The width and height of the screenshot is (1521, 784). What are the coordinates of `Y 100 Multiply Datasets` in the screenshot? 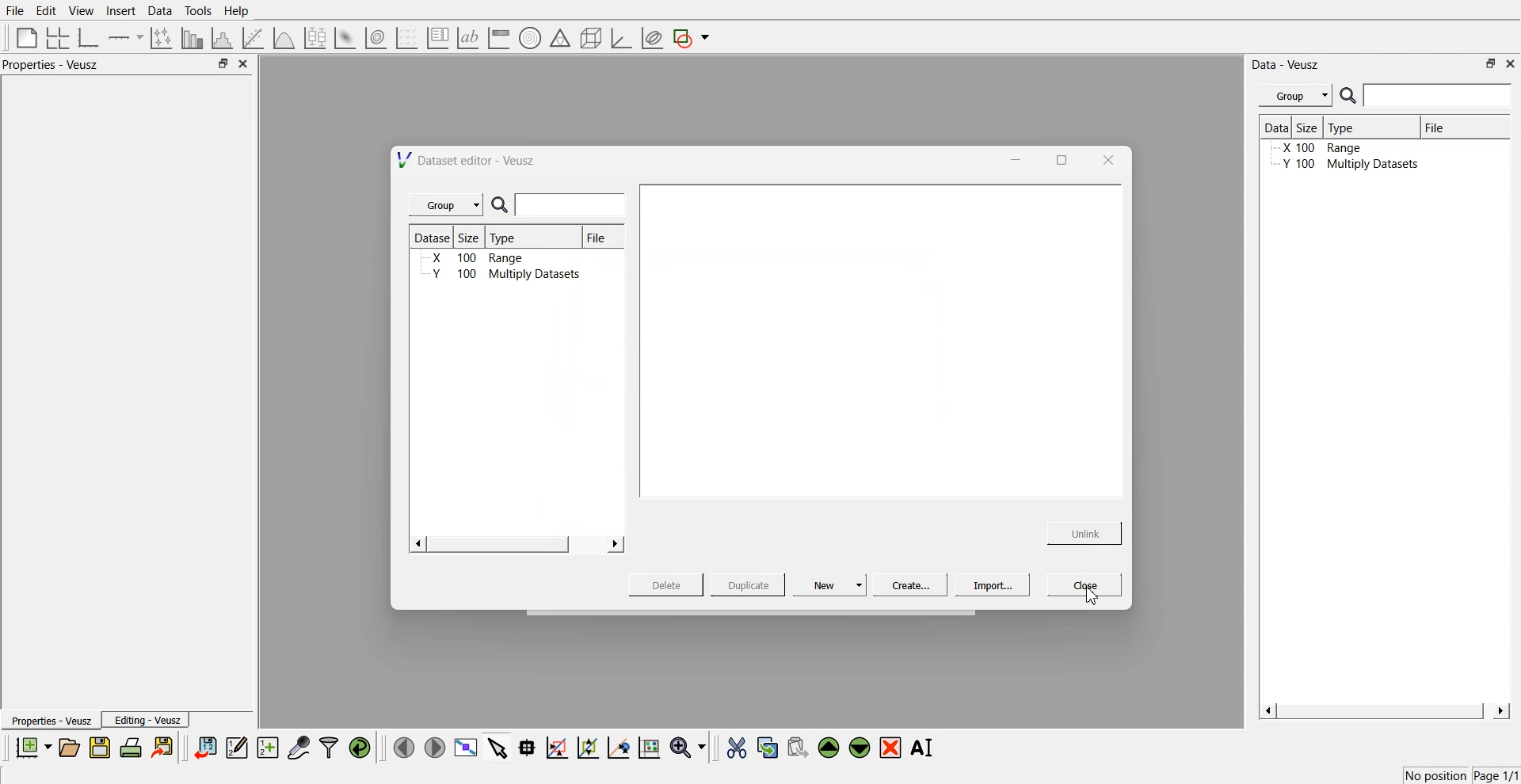 It's located at (1348, 165).